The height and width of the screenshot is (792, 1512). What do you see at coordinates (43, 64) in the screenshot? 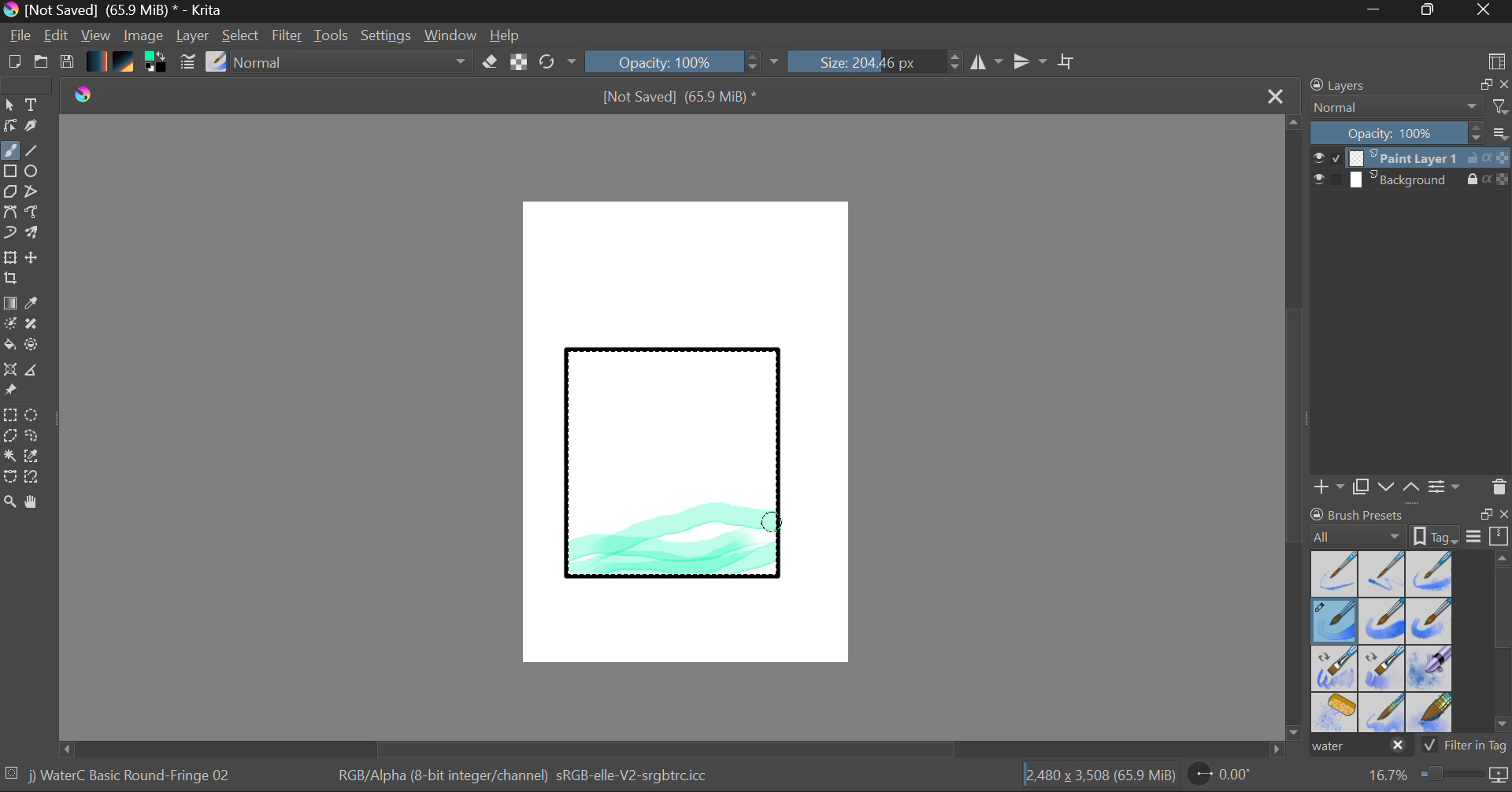
I see `Open` at bounding box center [43, 64].